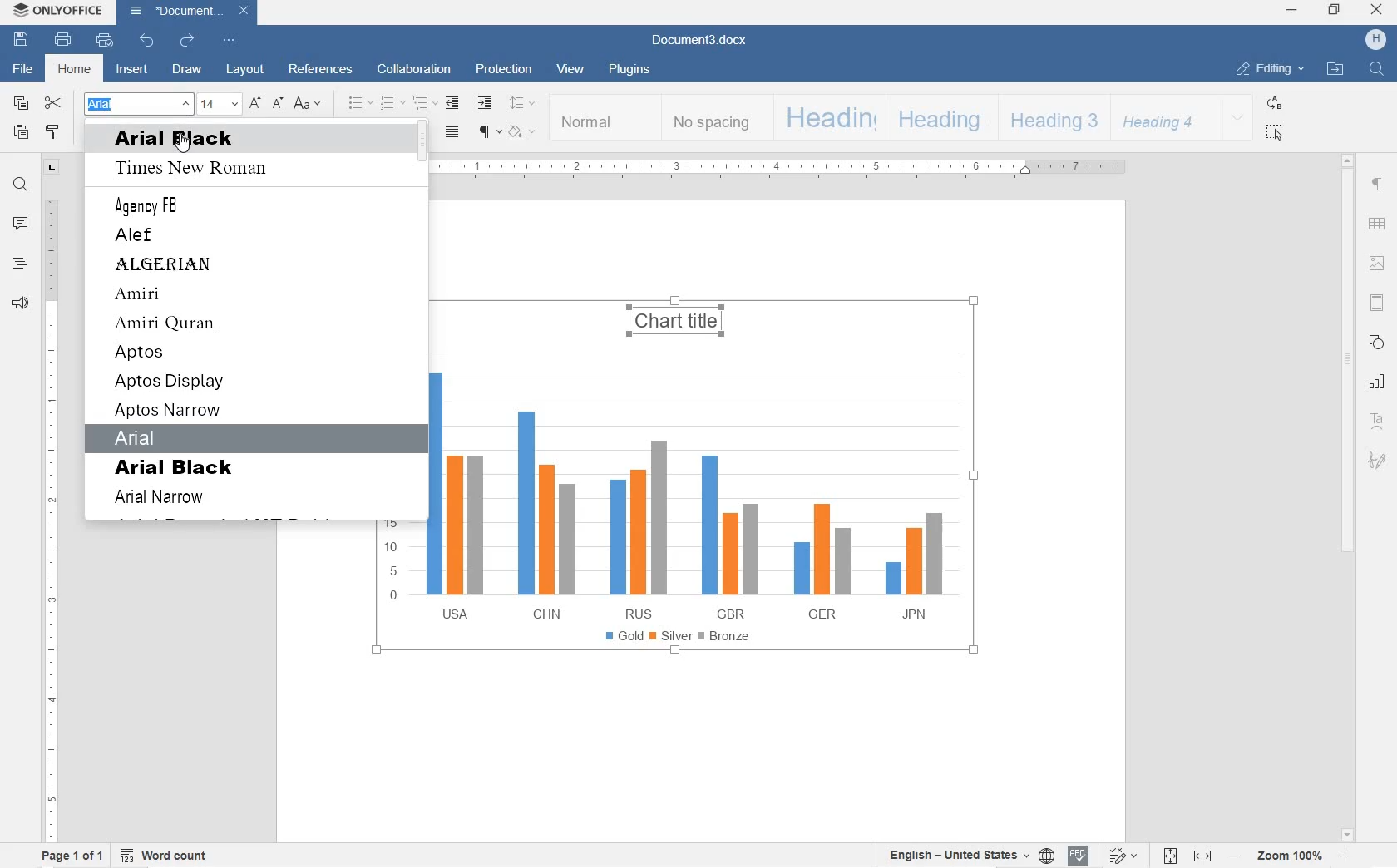  Describe the element at coordinates (1121, 856) in the screenshot. I see `TRACK CHANGES` at that location.